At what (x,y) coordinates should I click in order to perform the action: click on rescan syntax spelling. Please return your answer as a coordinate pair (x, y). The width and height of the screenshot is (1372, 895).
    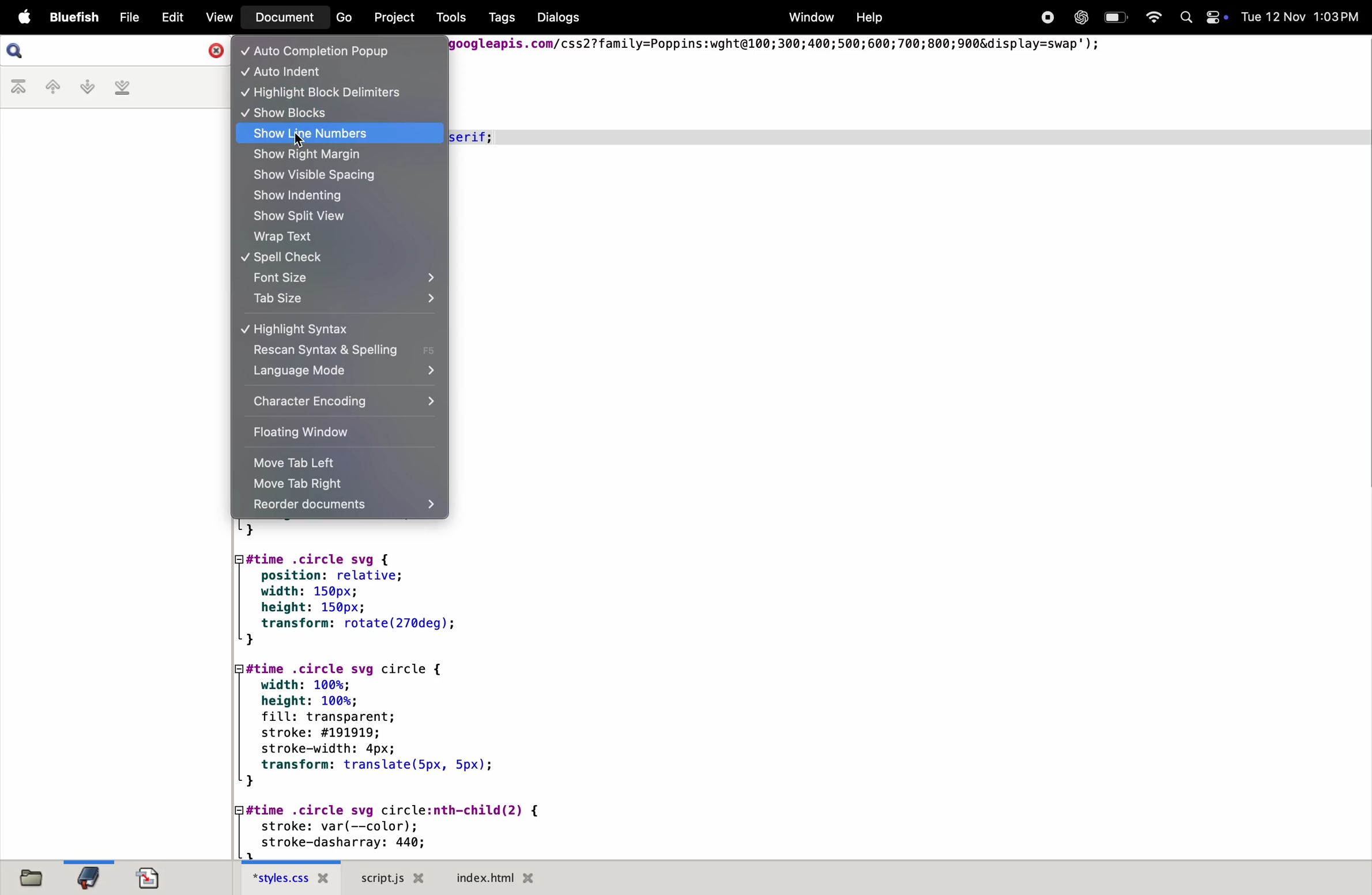
    Looking at the image, I should click on (342, 351).